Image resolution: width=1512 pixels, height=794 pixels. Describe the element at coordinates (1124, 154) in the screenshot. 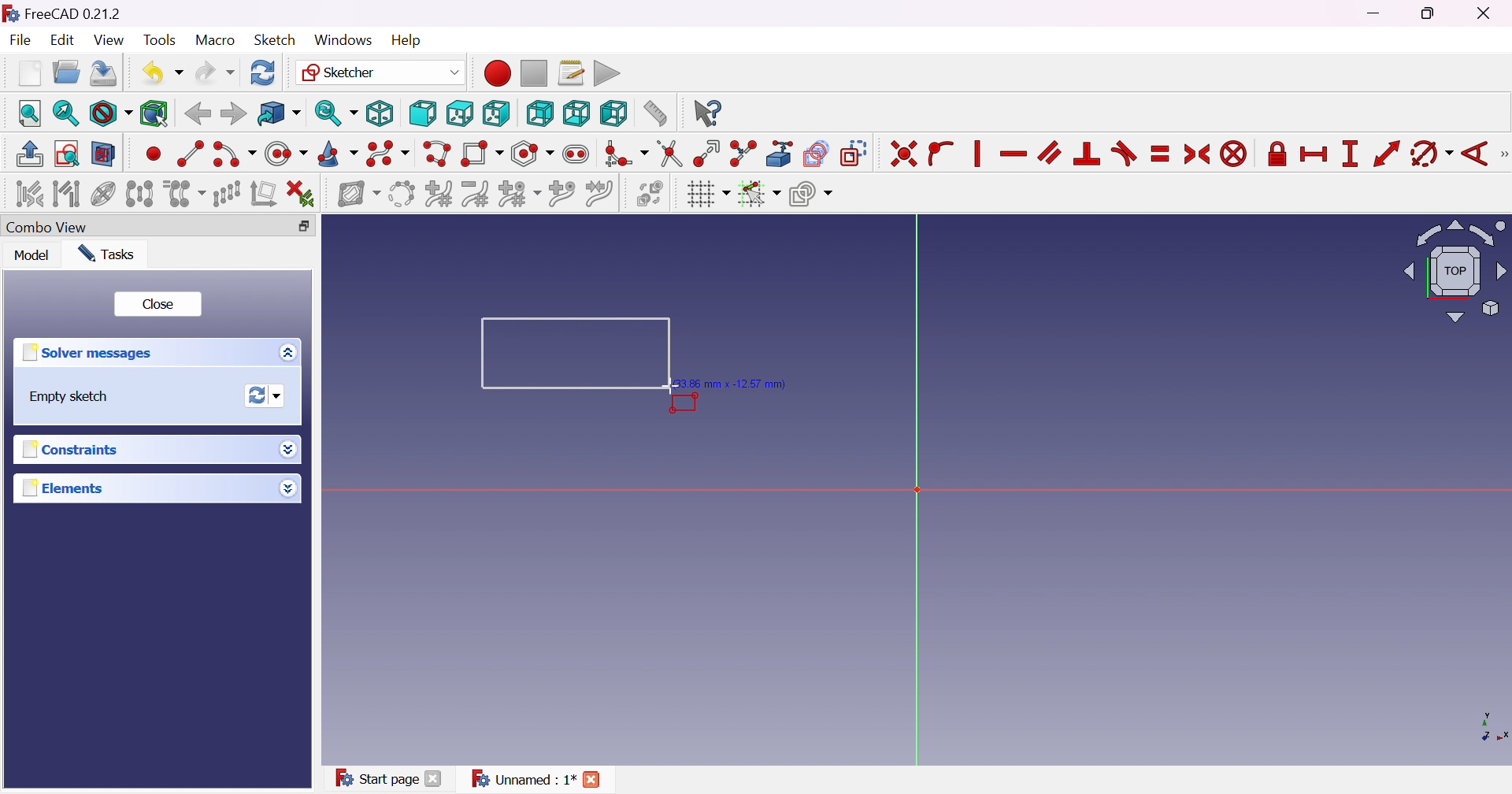

I see `Constrain tangent` at that location.